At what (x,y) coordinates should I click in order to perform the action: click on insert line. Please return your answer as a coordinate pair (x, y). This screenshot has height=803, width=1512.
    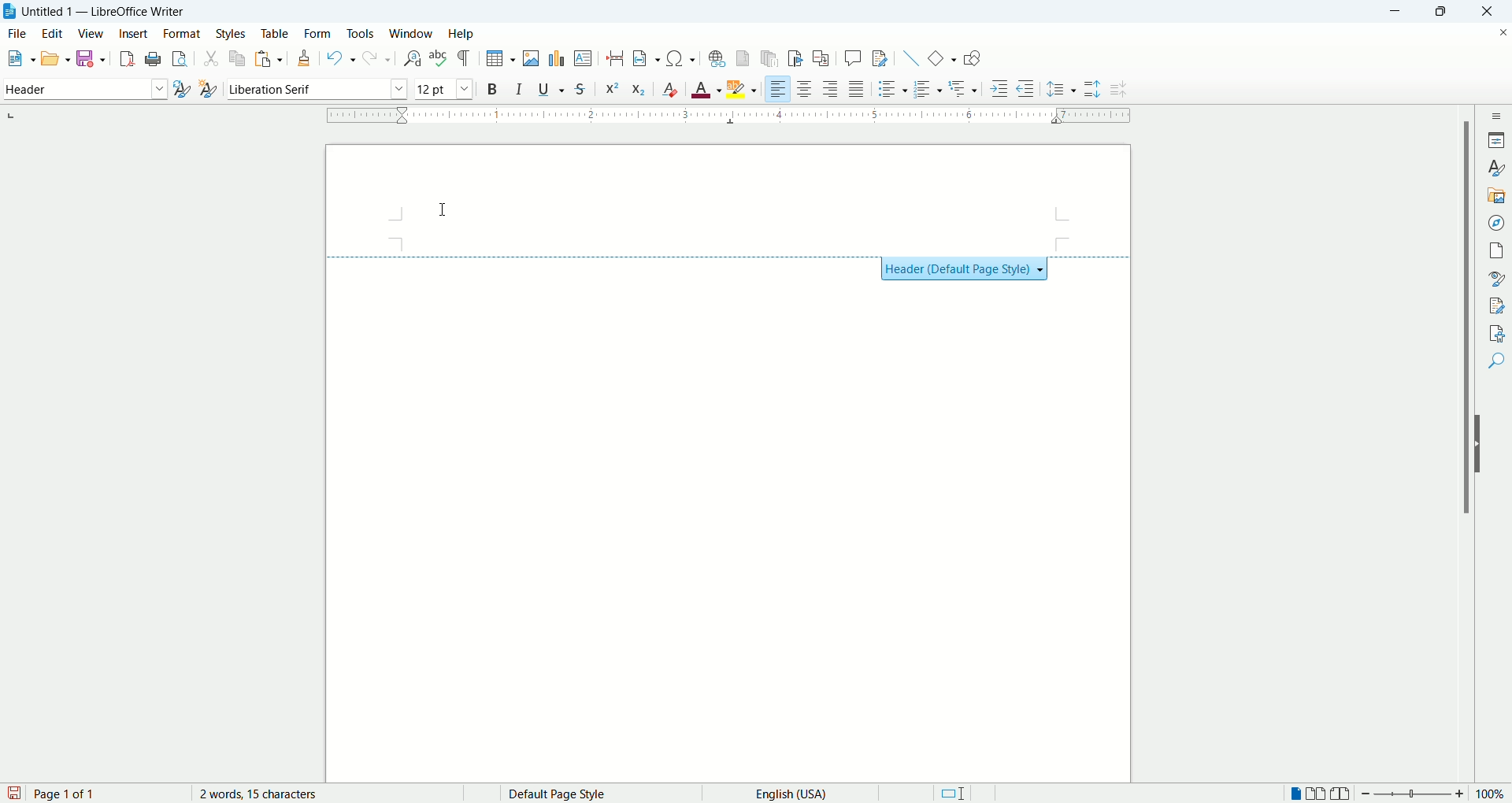
    Looking at the image, I should click on (912, 57).